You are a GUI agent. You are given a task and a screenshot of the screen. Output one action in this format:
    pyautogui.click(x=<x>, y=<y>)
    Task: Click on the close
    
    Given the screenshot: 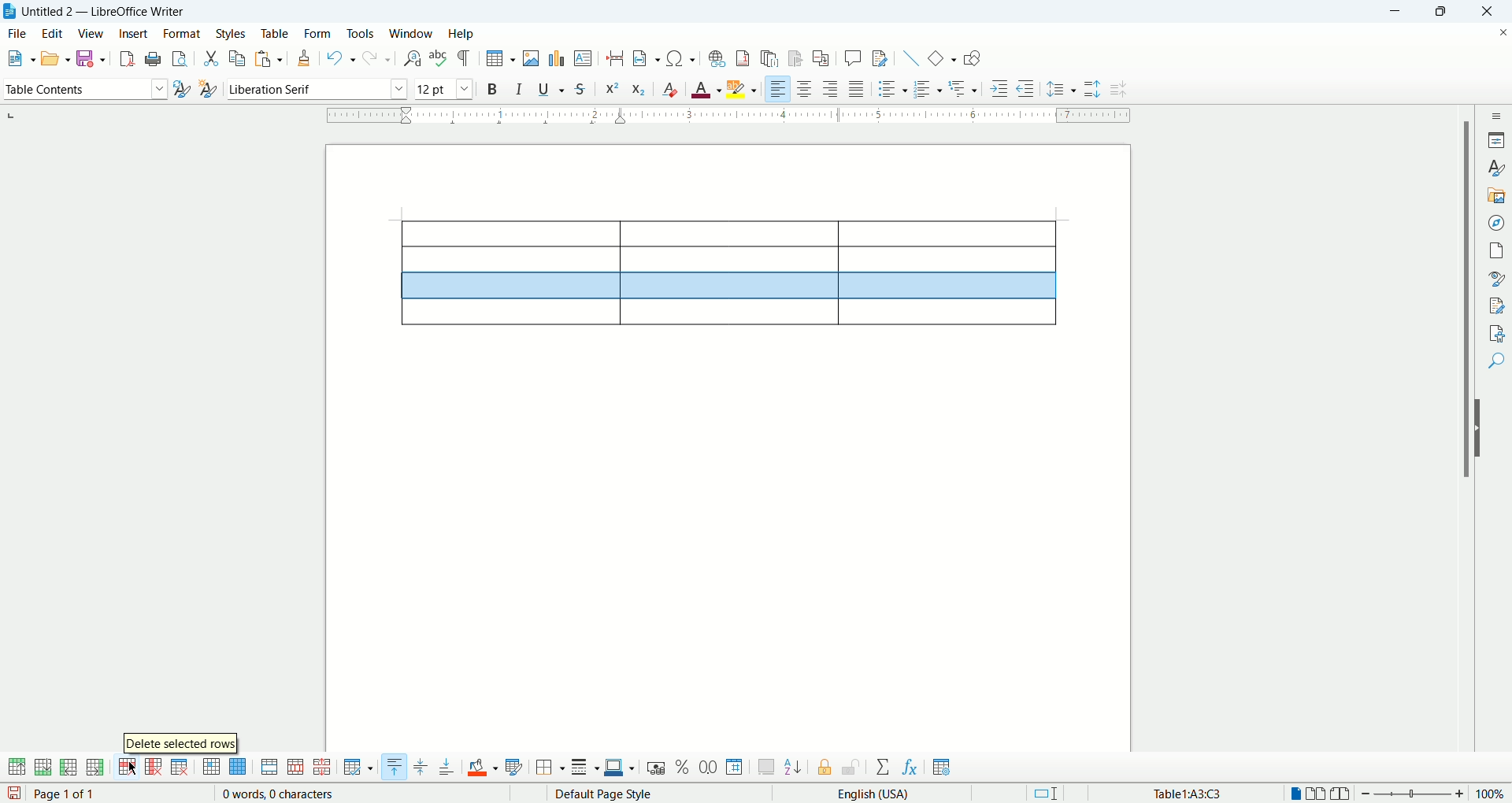 What is the action you would take?
    pyautogui.click(x=1499, y=33)
    